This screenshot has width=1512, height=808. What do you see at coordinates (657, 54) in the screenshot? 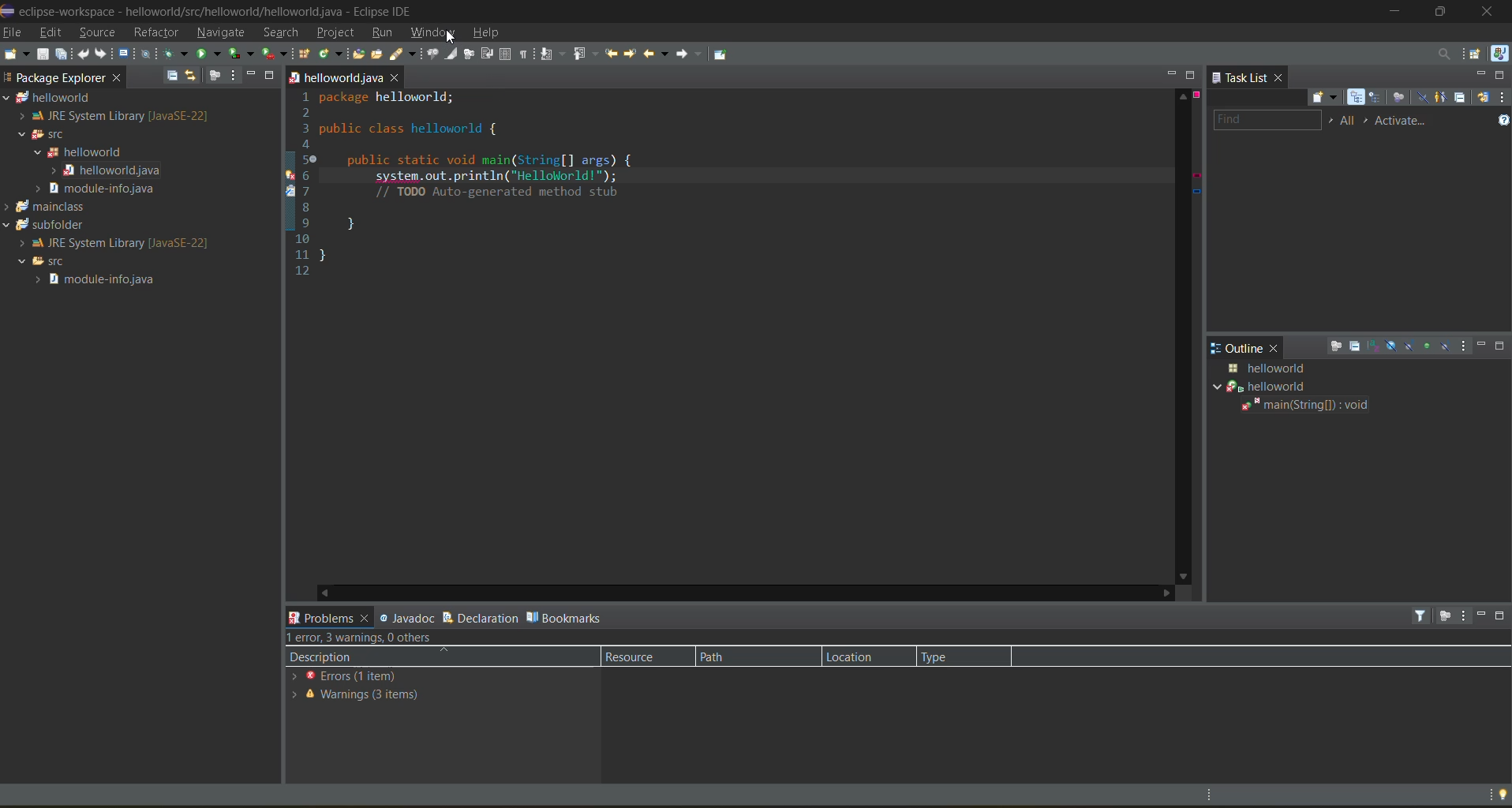
I see `back` at bounding box center [657, 54].